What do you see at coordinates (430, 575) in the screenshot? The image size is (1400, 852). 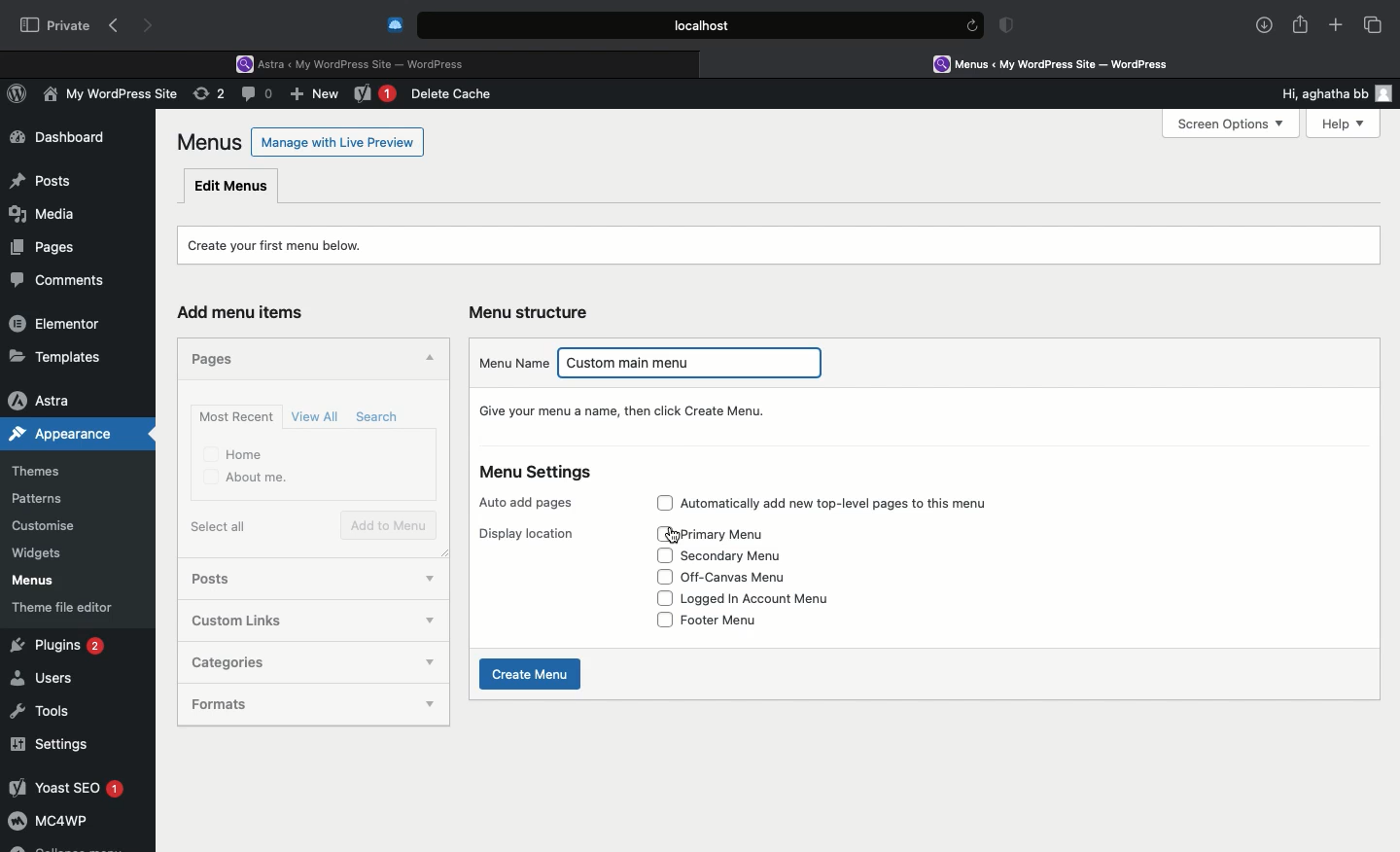 I see `Show` at bounding box center [430, 575].